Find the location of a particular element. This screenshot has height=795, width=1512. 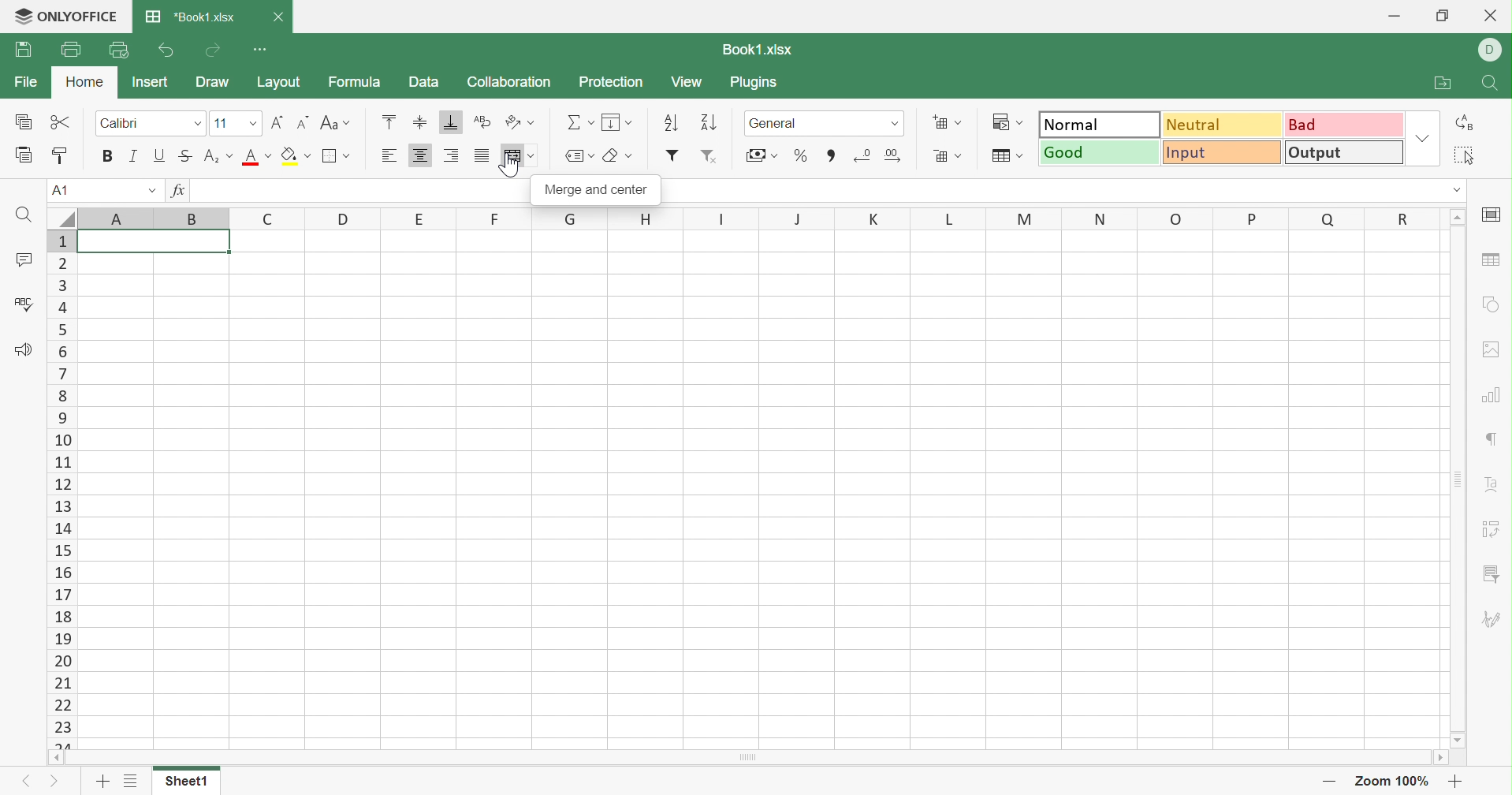

Align Middle is located at coordinates (424, 124).